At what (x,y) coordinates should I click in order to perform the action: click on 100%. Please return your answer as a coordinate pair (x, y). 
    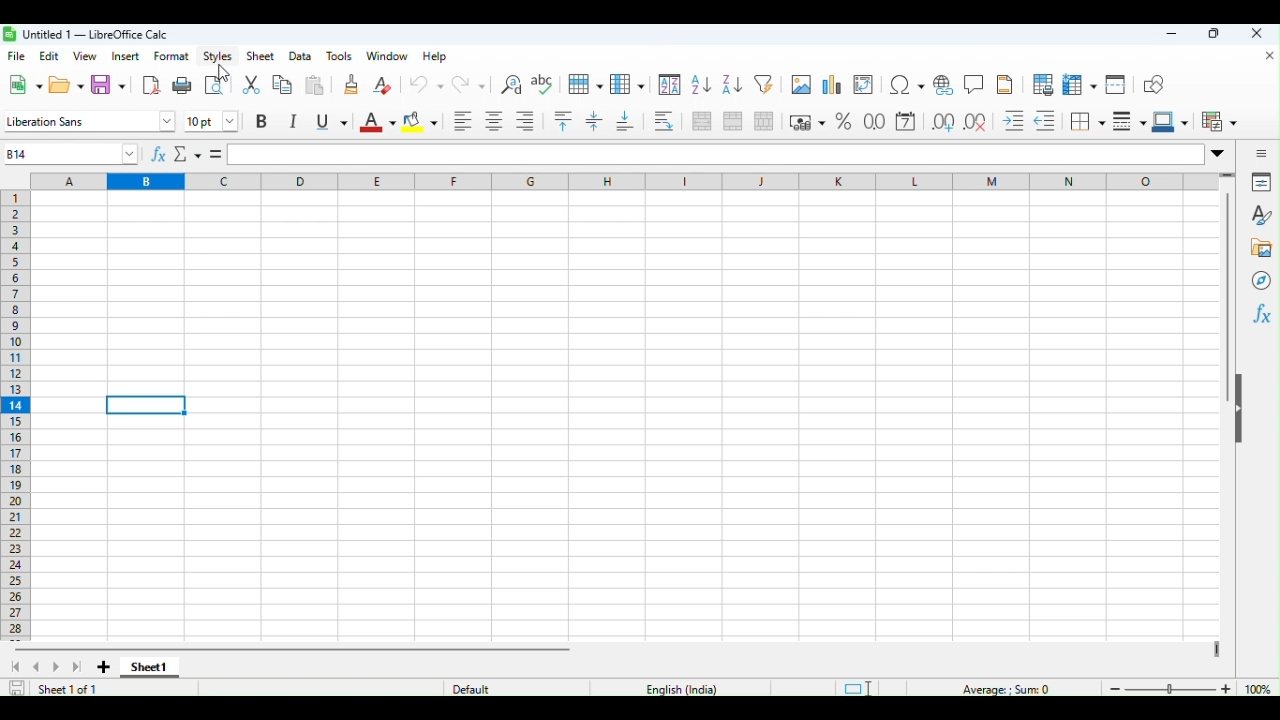
    Looking at the image, I should click on (1261, 688).